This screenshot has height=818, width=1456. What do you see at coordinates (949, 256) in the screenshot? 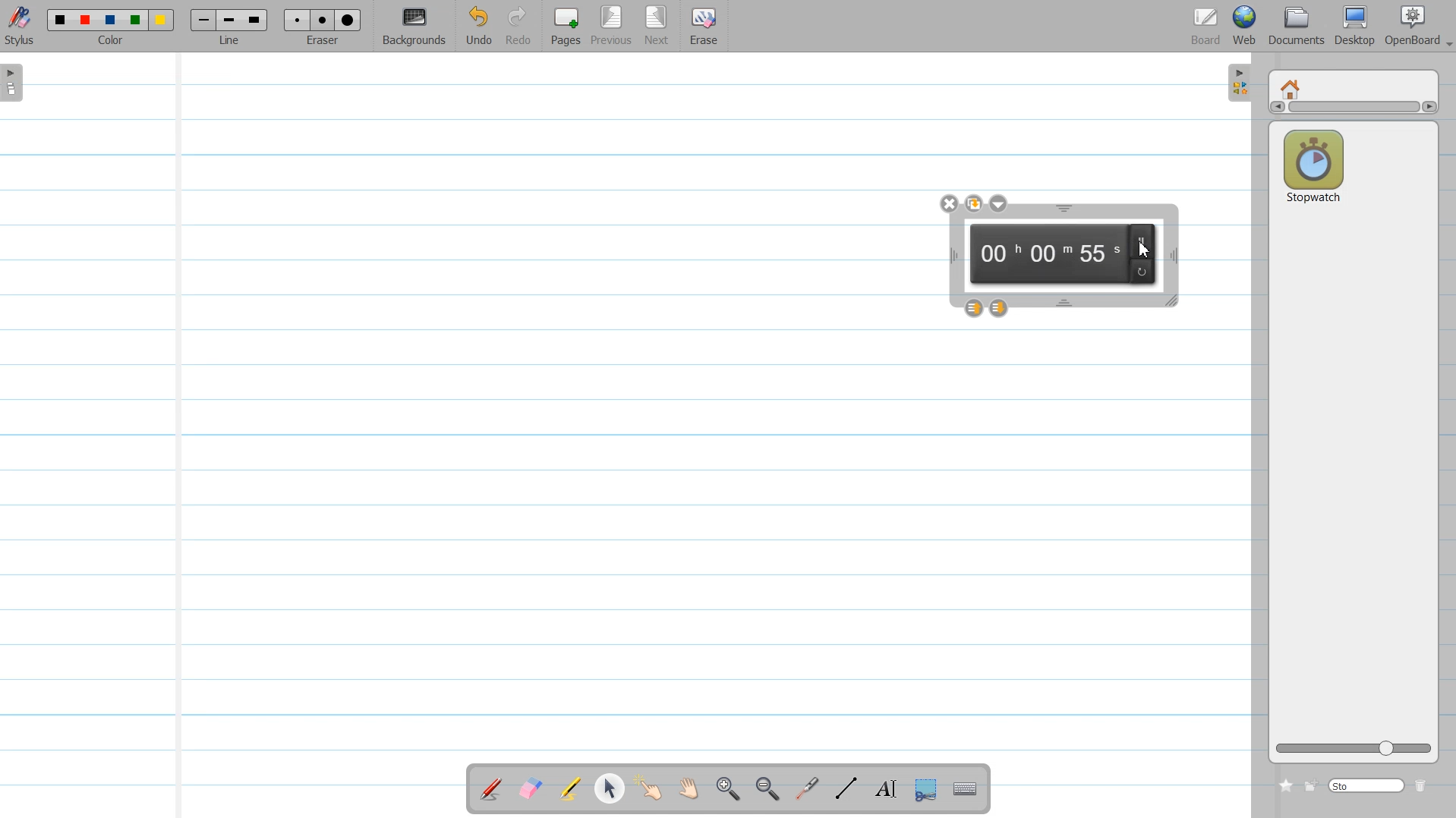
I see `Time window width adjustment` at bounding box center [949, 256].